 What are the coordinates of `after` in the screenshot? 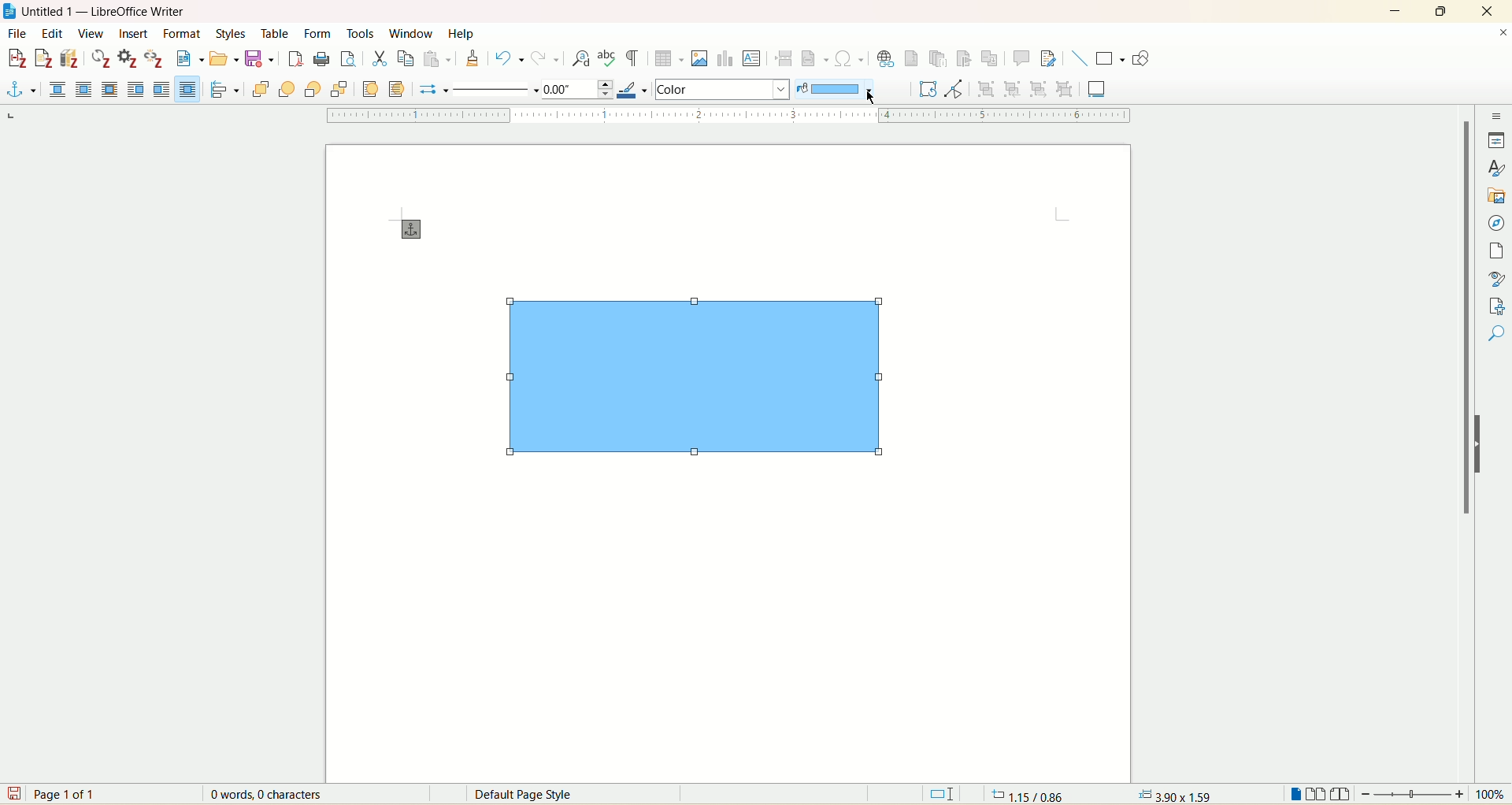 It's located at (162, 89).